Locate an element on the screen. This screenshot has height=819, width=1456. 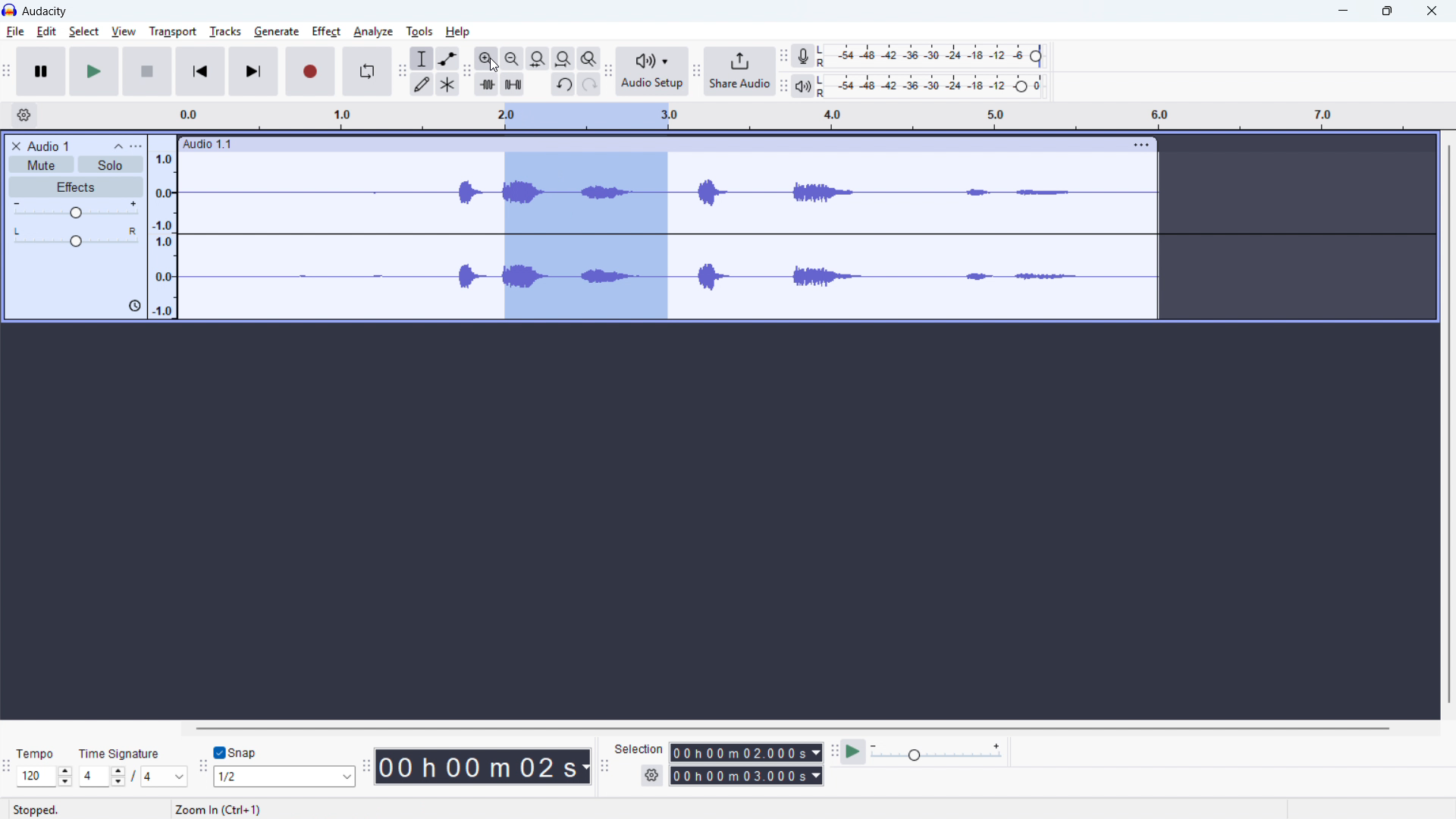
Draw tool is located at coordinates (422, 83).